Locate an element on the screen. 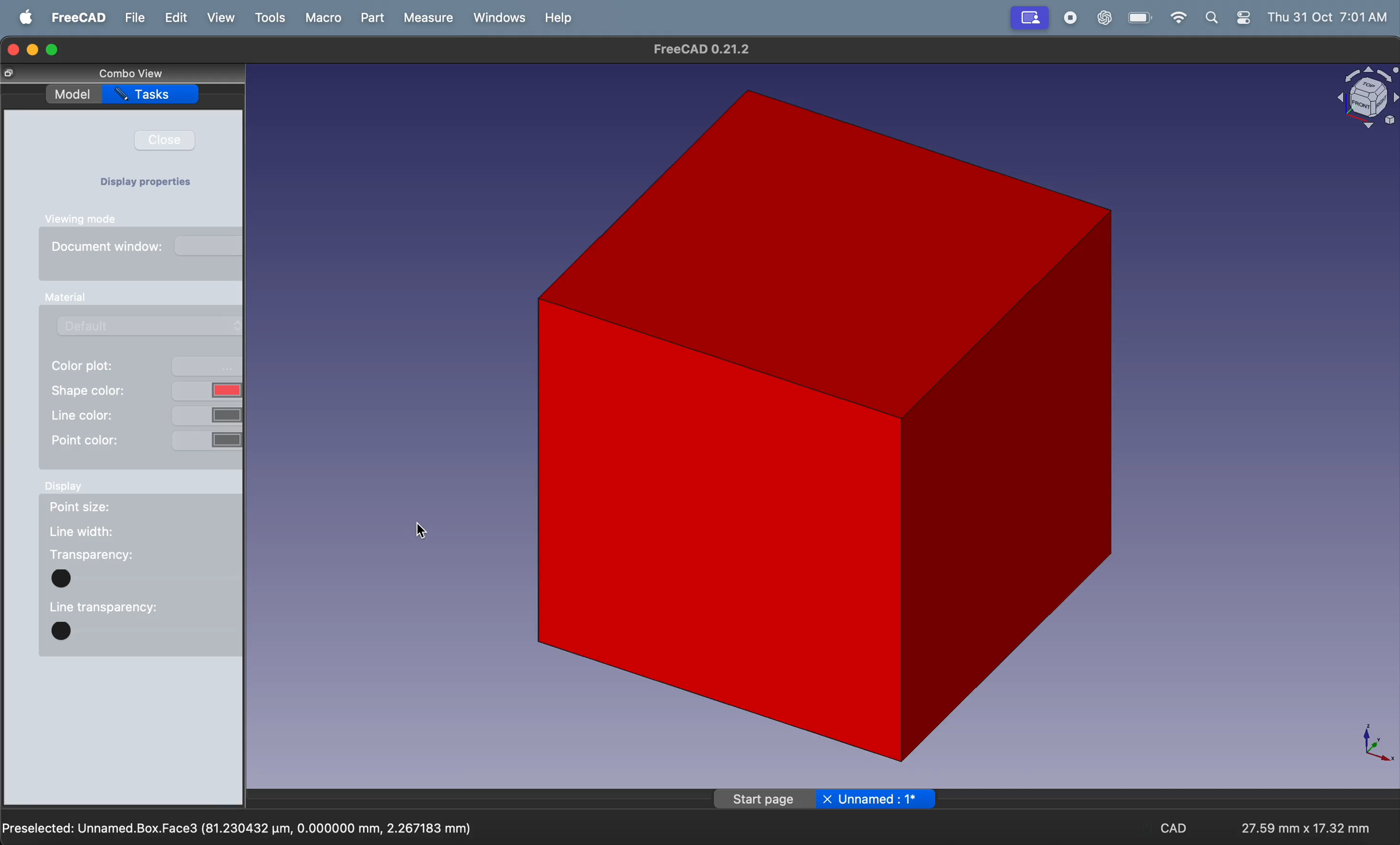 The height and width of the screenshot is (845, 1400). CAD is located at coordinates (1176, 830).